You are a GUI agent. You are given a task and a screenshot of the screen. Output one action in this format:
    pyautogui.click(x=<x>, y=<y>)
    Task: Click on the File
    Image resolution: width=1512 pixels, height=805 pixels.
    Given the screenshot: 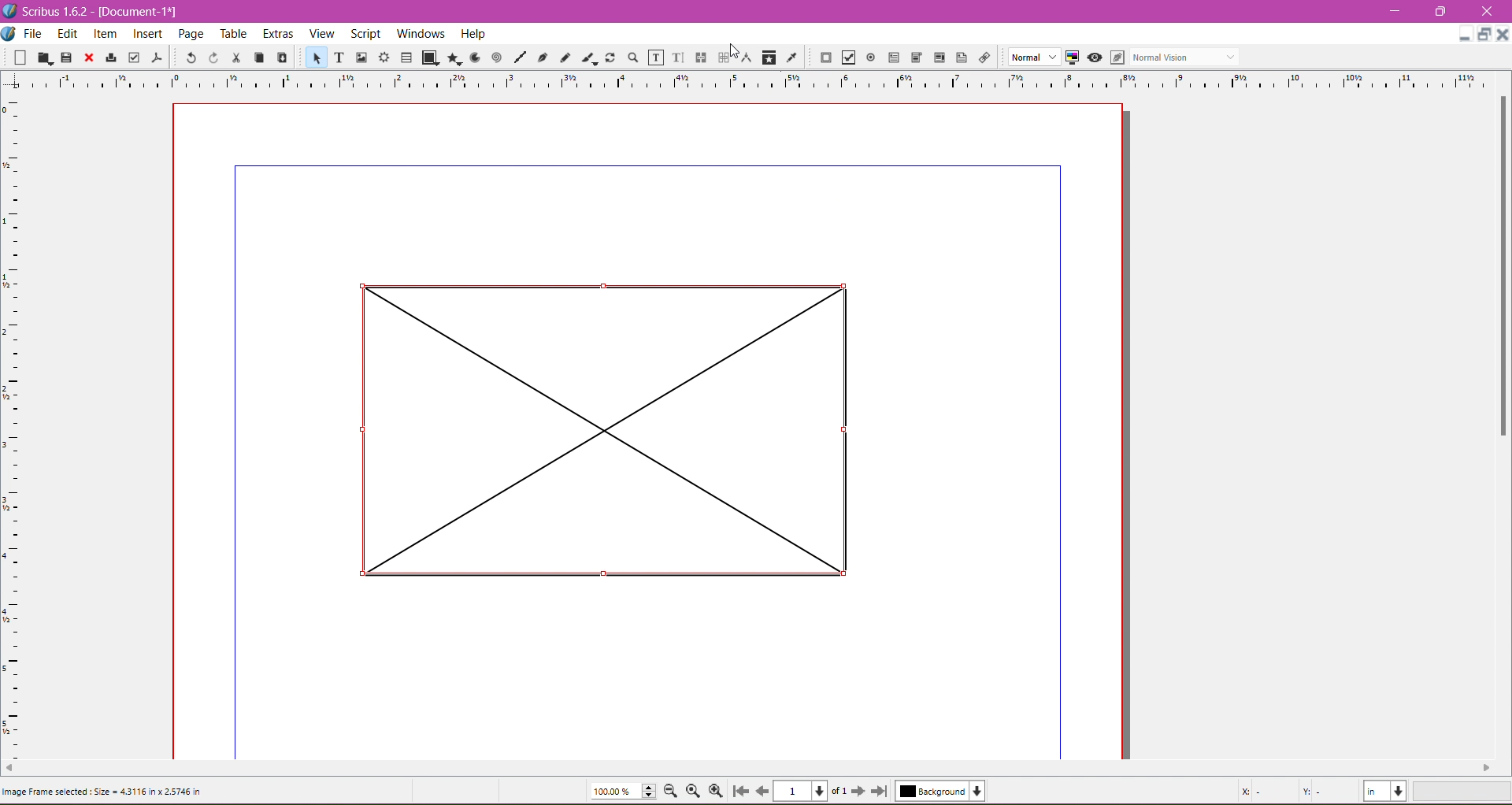 What is the action you would take?
    pyautogui.click(x=34, y=34)
    